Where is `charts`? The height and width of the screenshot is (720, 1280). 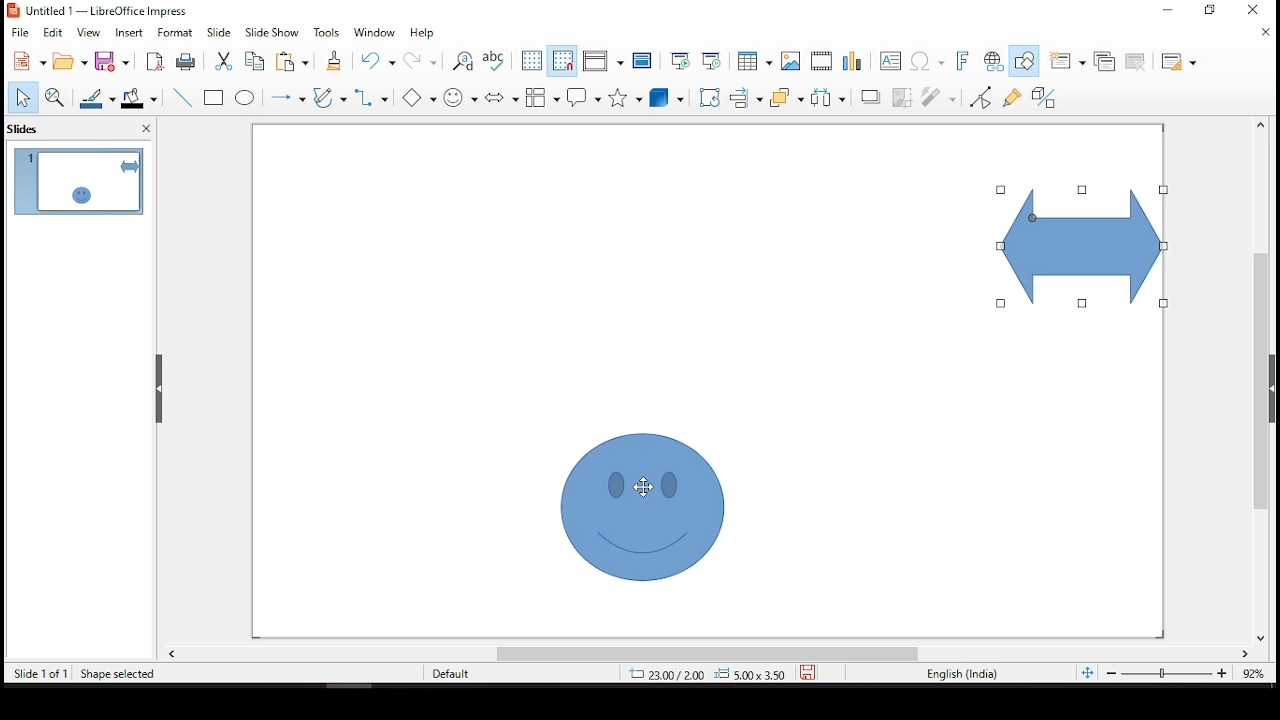 charts is located at coordinates (855, 62).